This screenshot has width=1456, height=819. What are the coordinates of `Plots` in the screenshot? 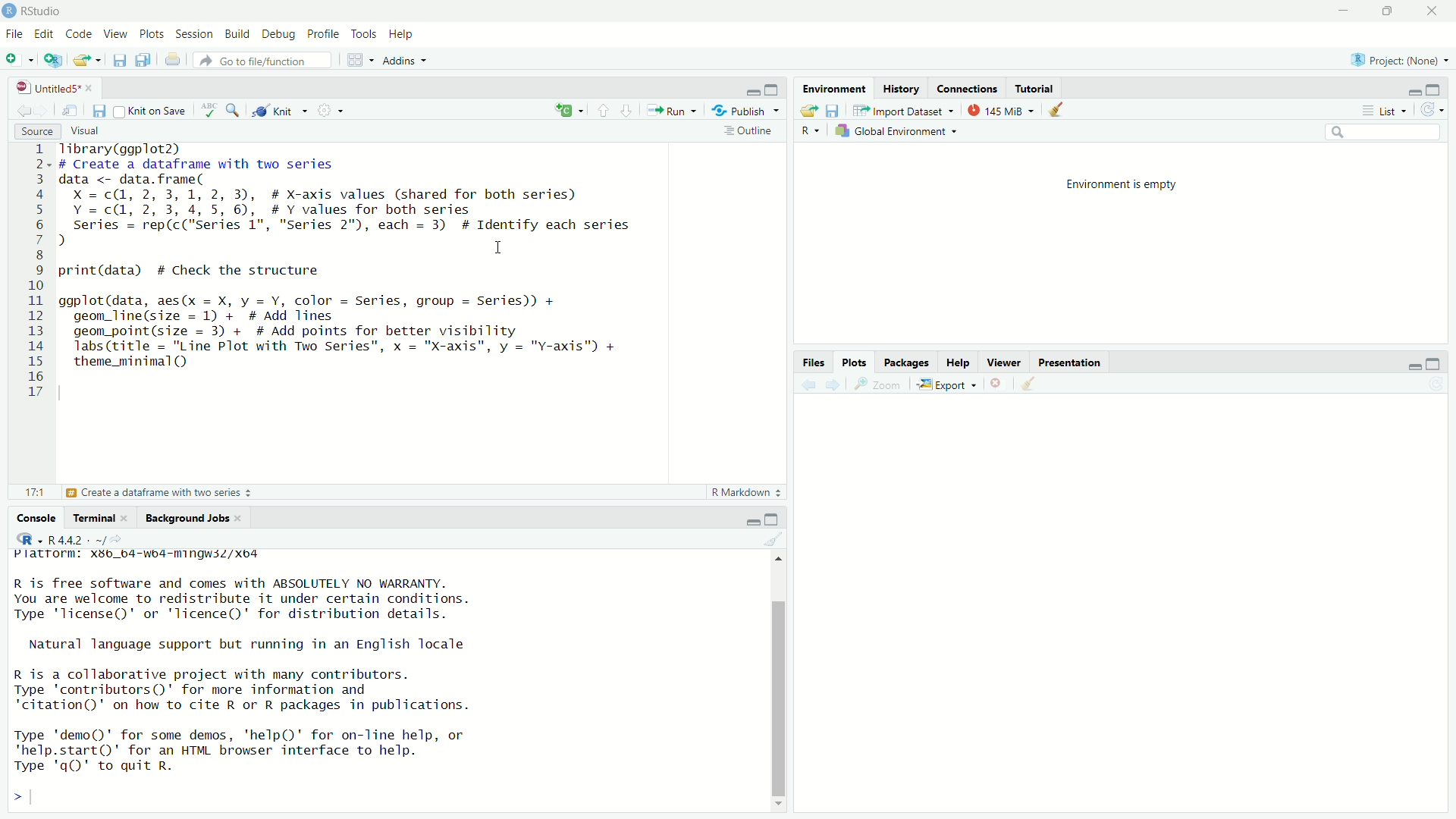 It's located at (155, 36).